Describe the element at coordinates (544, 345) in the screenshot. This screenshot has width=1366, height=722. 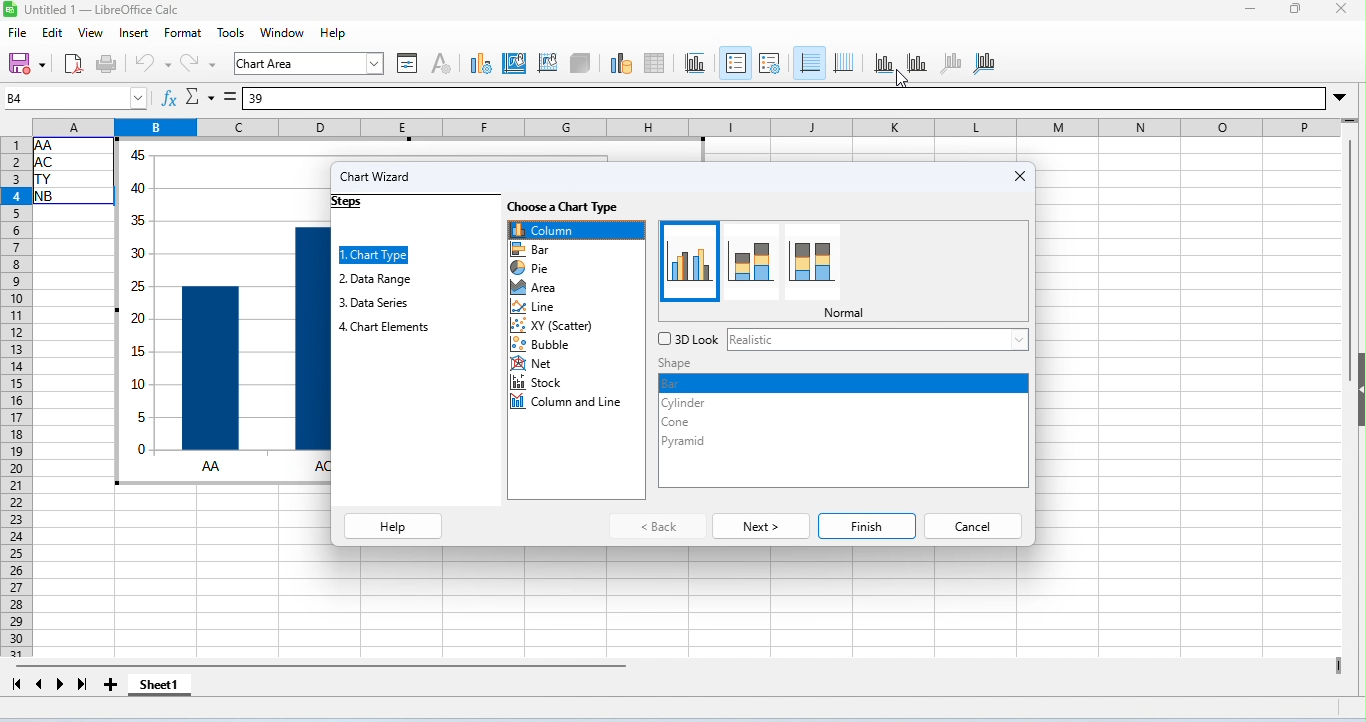
I see `bubble` at that location.